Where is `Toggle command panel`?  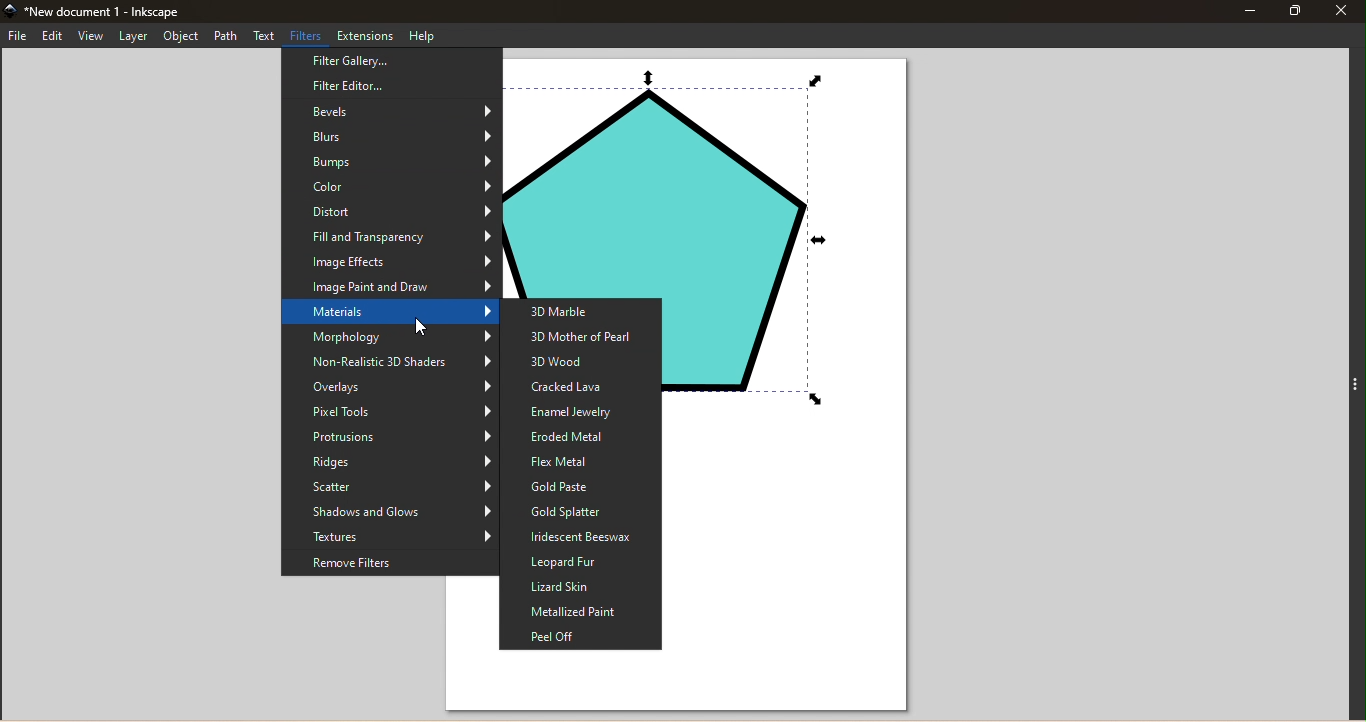 Toggle command panel is located at coordinates (1353, 382).